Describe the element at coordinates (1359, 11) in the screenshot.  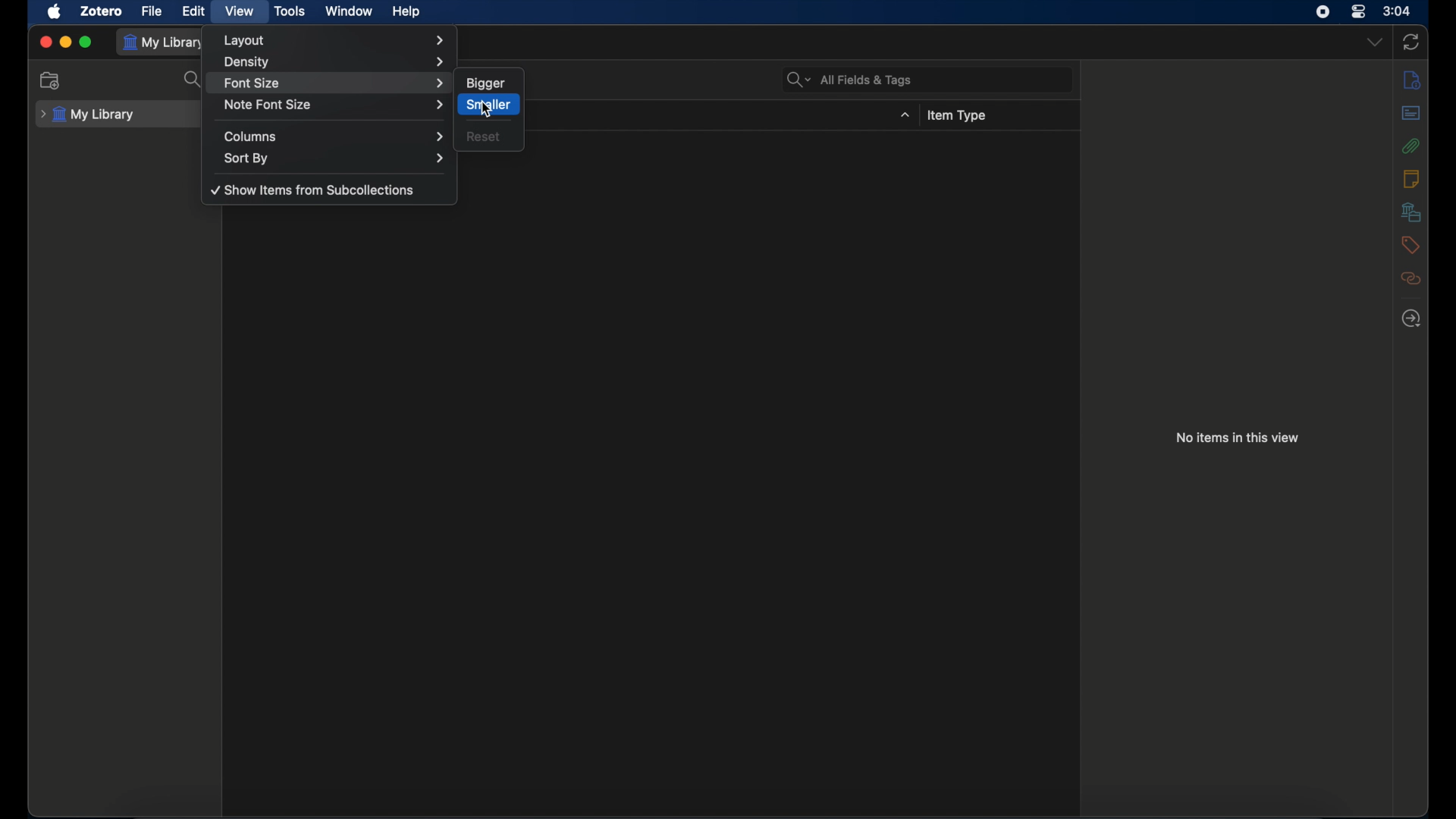
I see `control center` at that location.